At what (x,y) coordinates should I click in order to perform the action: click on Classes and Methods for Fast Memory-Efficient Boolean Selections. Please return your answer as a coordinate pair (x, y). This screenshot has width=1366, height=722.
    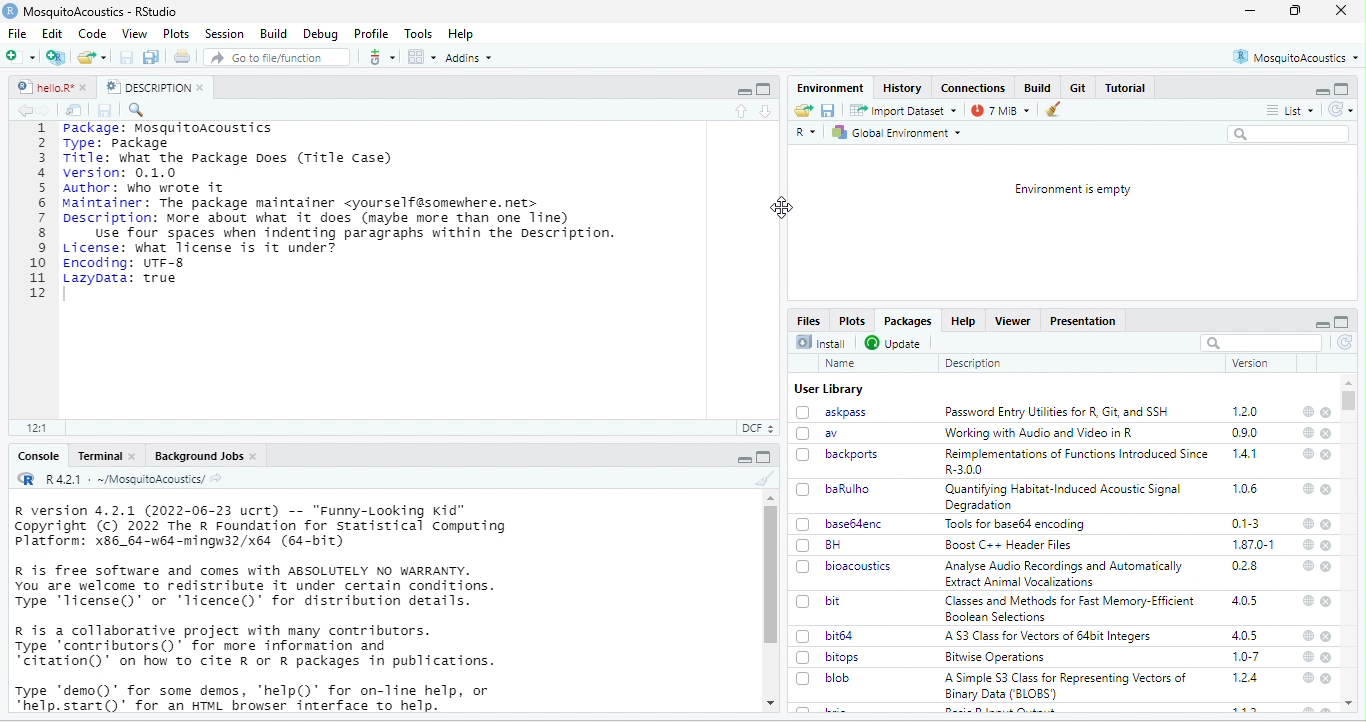
    Looking at the image, I should click on (1069, 608).